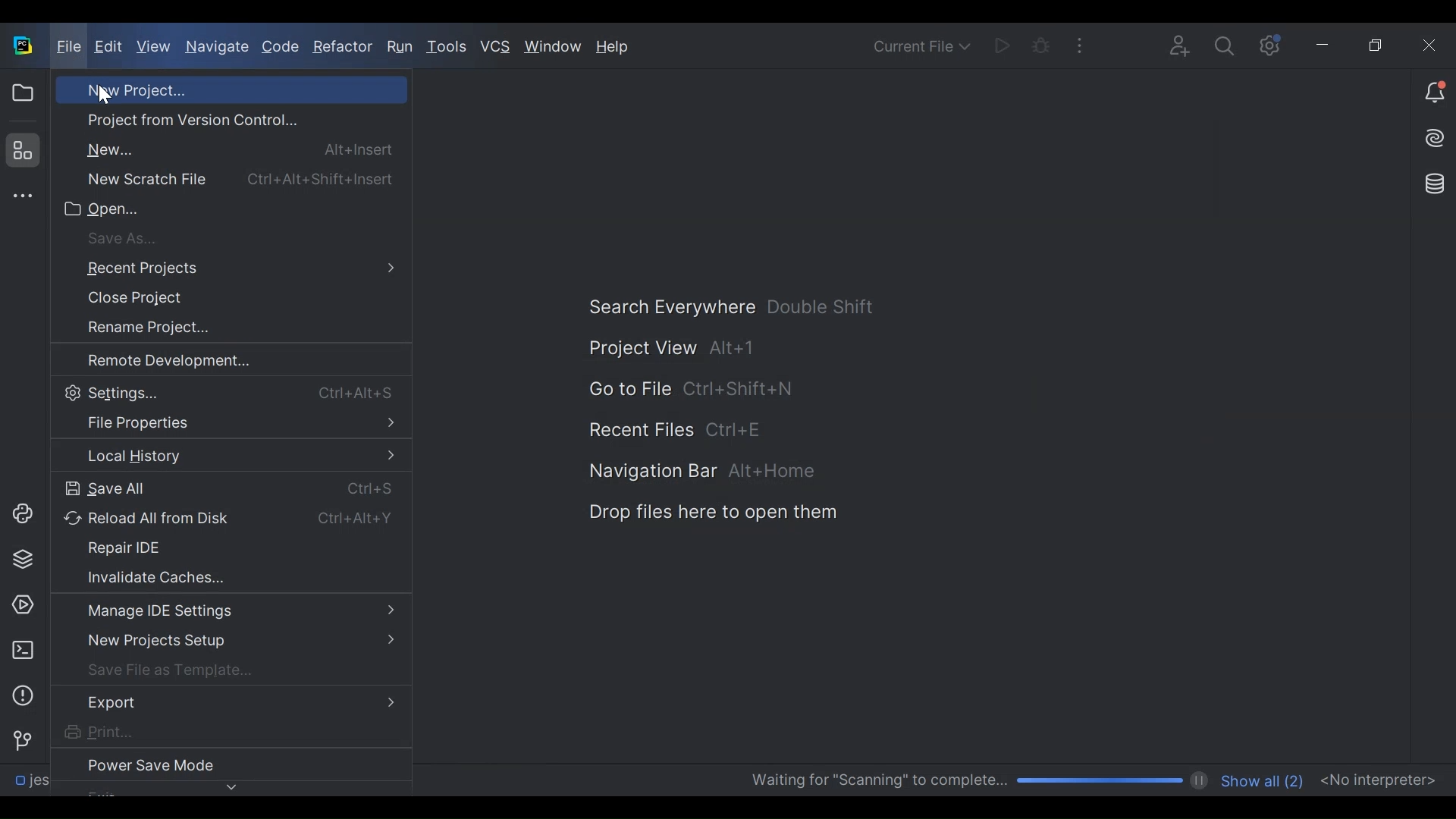 The width and height of the screenshot is (1456, 819). I want to click on Notiication, so click(1435, 93).